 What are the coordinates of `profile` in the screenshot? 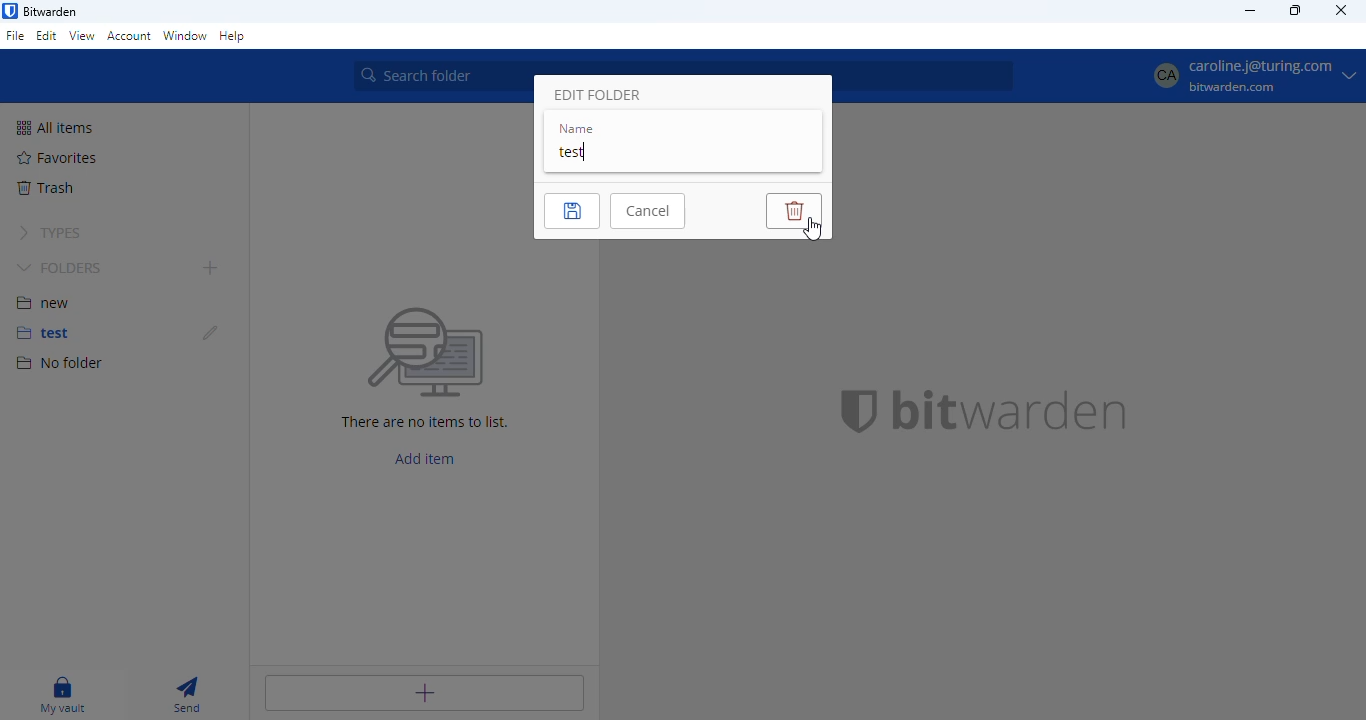 It's located at (1253, 77).